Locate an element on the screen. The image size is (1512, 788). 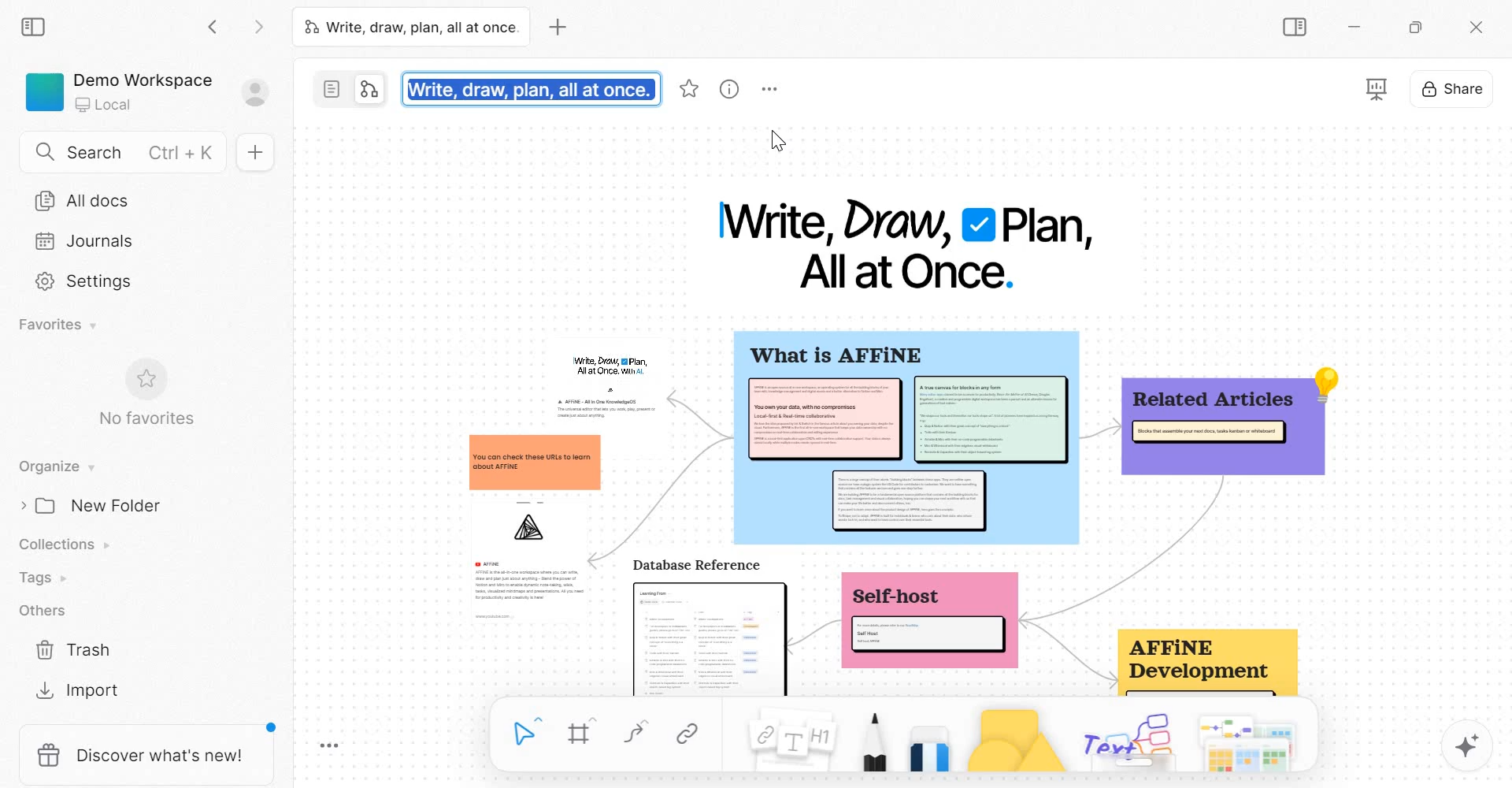
Select is located at coordinates (527, 731).